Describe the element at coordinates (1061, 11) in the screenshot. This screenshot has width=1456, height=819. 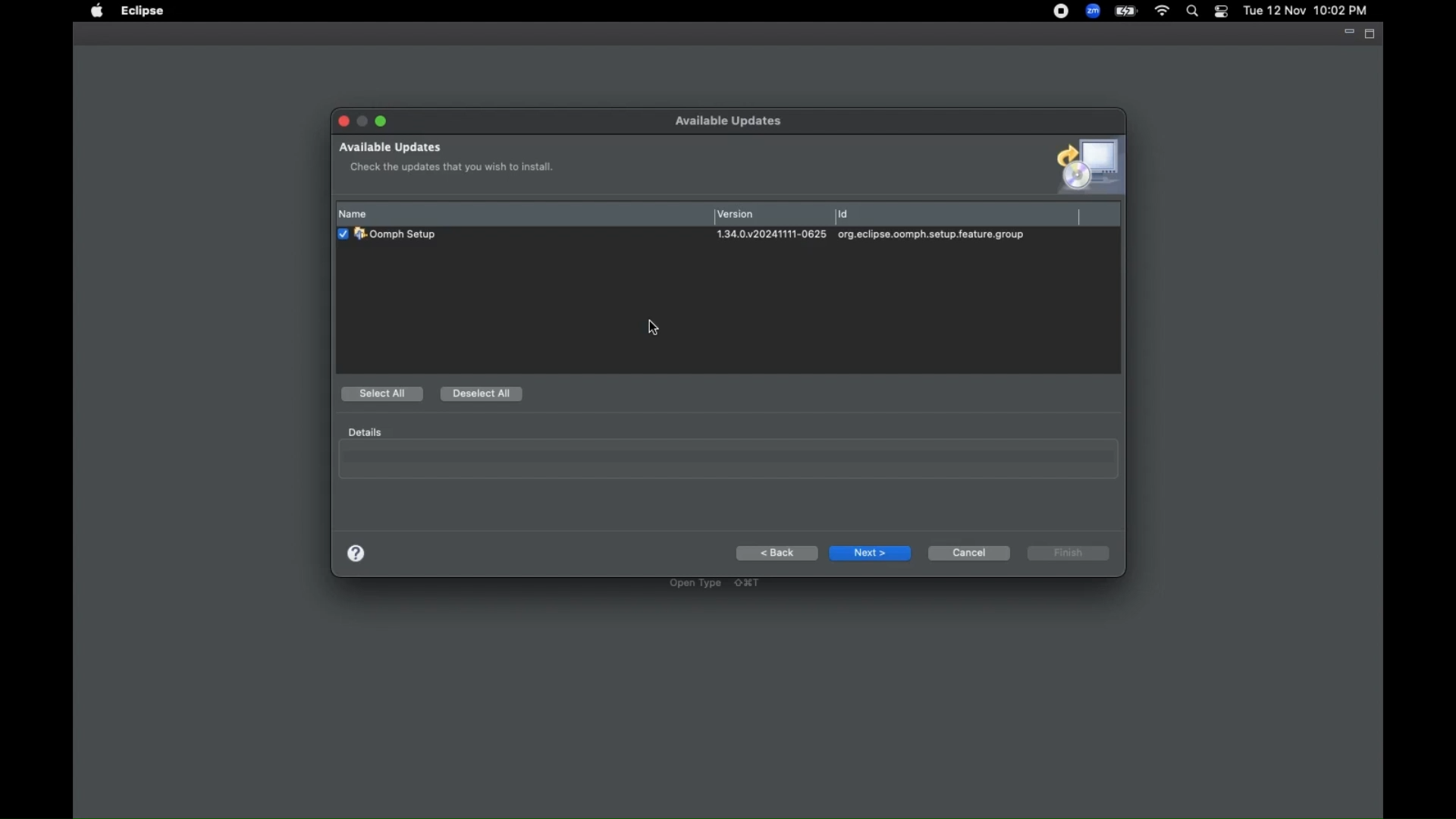
I see `Recording` at that location.